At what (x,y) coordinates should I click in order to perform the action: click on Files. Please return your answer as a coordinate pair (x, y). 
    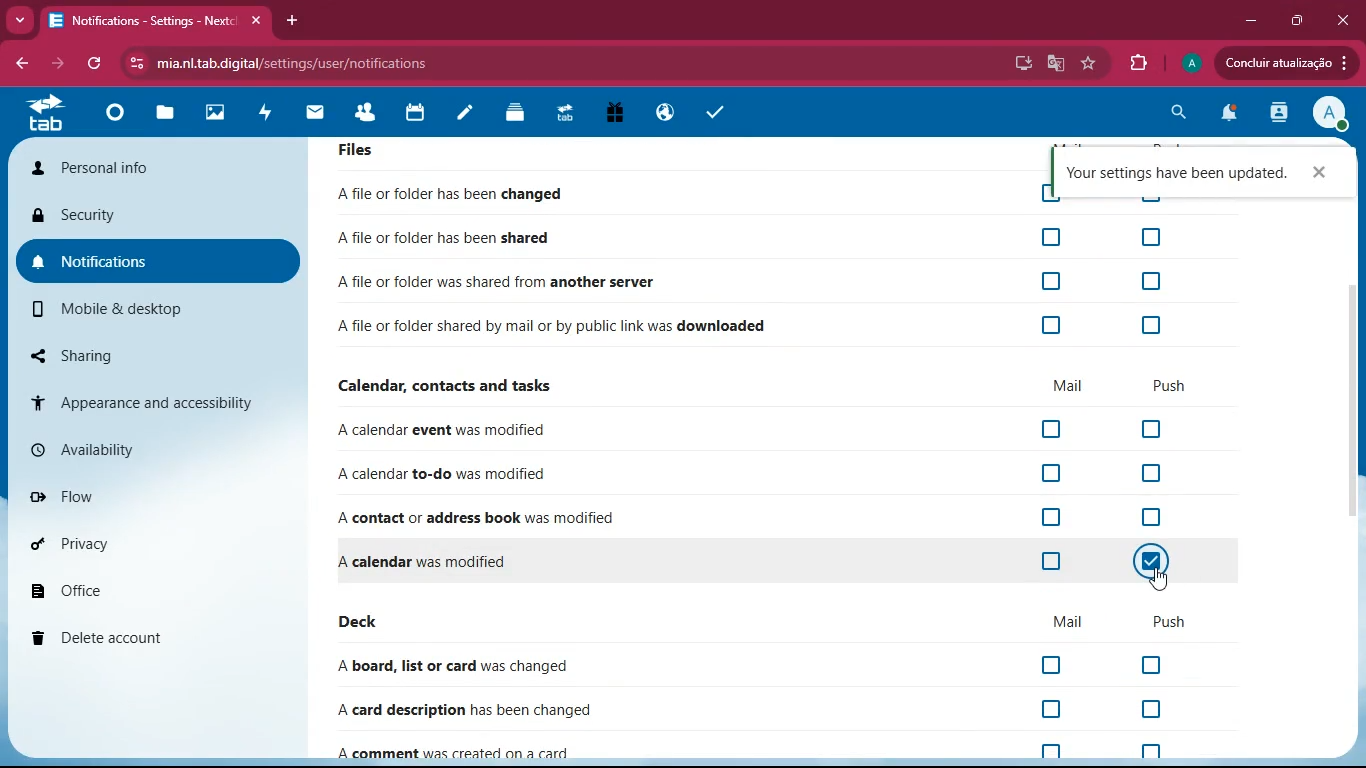
    Looking at the image, I should click on (675, 154).